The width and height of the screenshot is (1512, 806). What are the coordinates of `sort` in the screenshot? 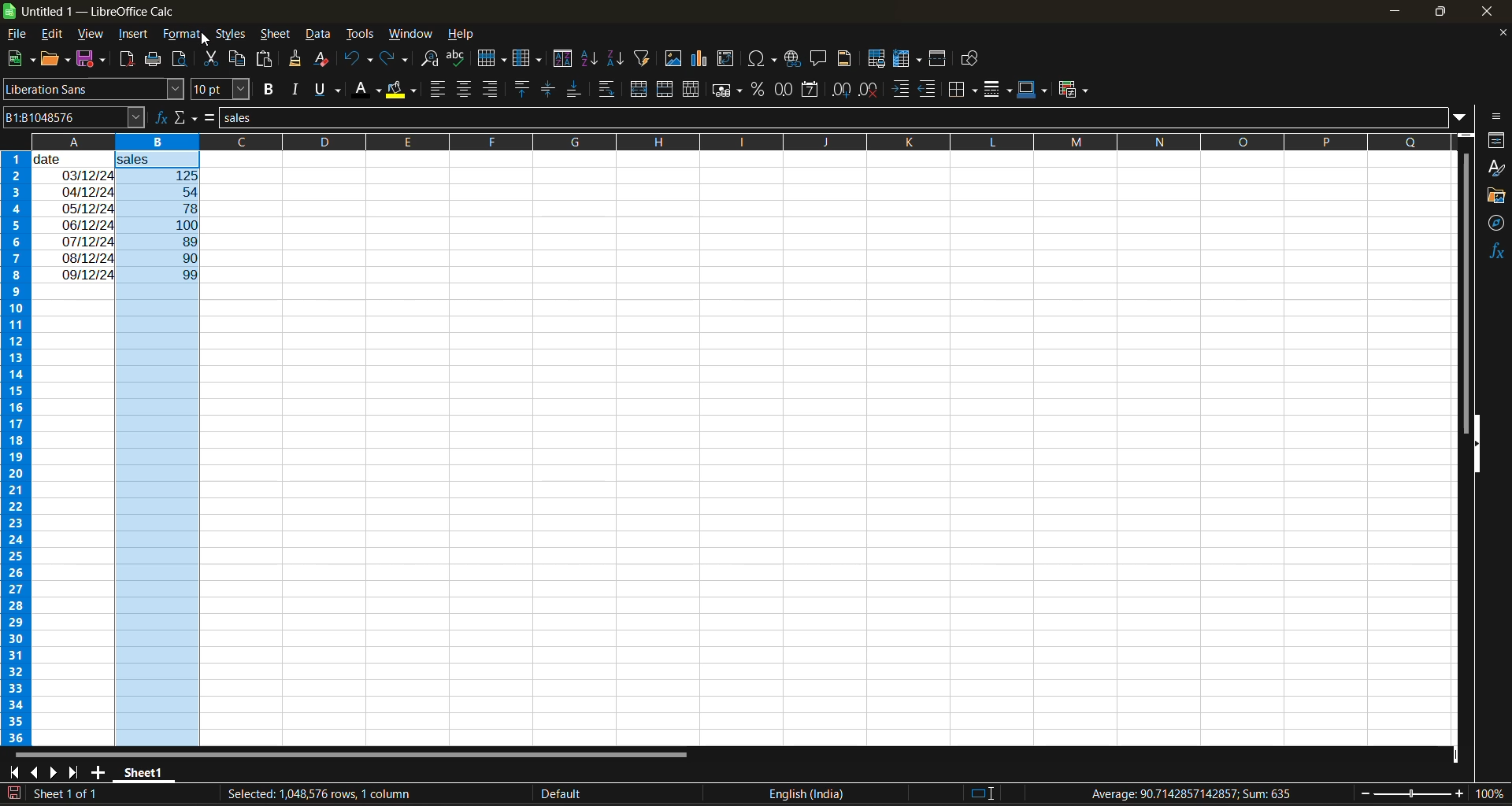 It's located at (562, 58).